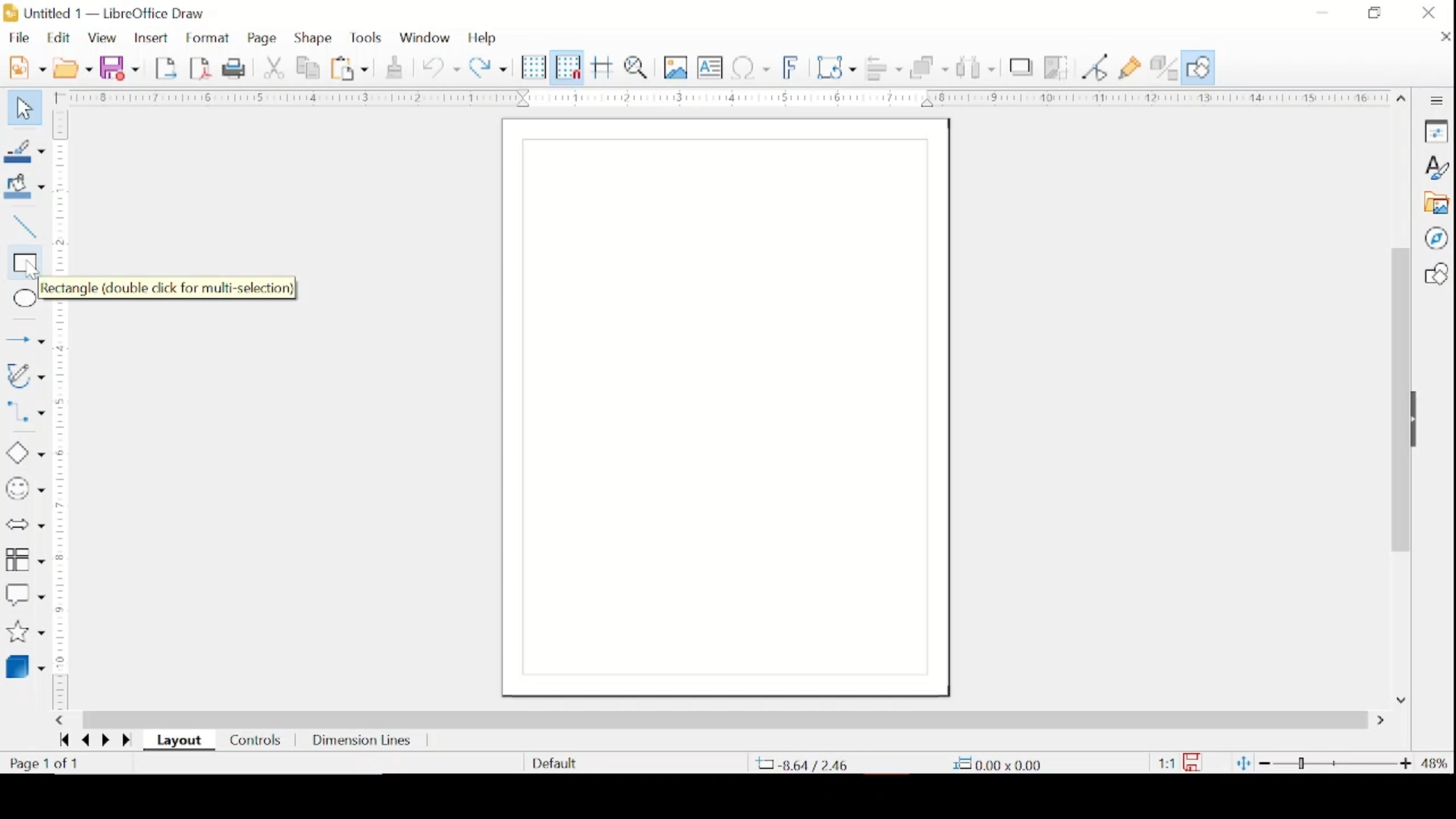 This screenshot has width=1456, height=819. Describe the element at coordinates (209, 39) in the screenshot. I see `format` at that location.